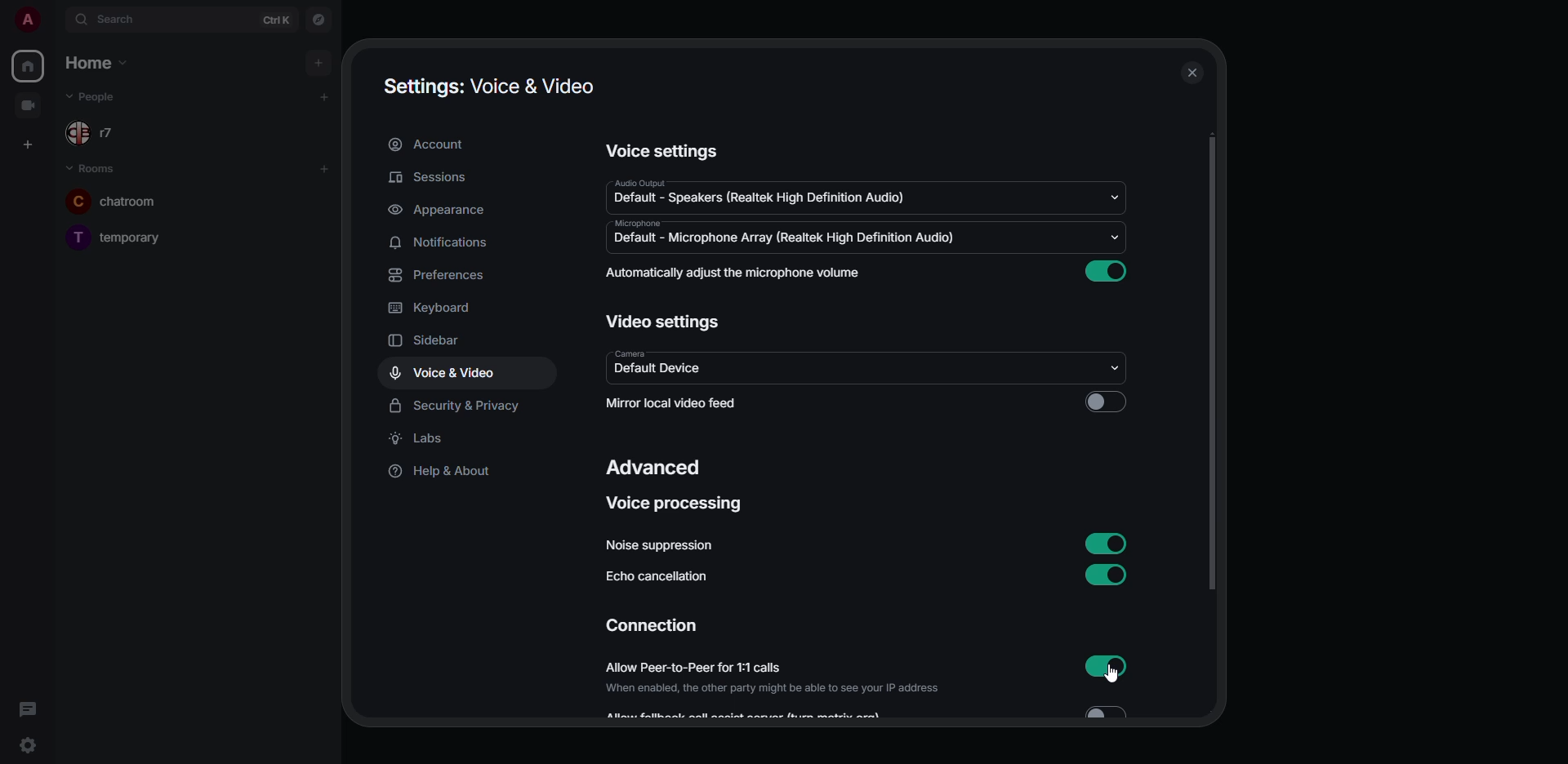 Image resolution: width=1568 pixels, height=764 pixels. Describe the element at coordinates (1106, 268) in the screenshot. I see `enabled` at that location.